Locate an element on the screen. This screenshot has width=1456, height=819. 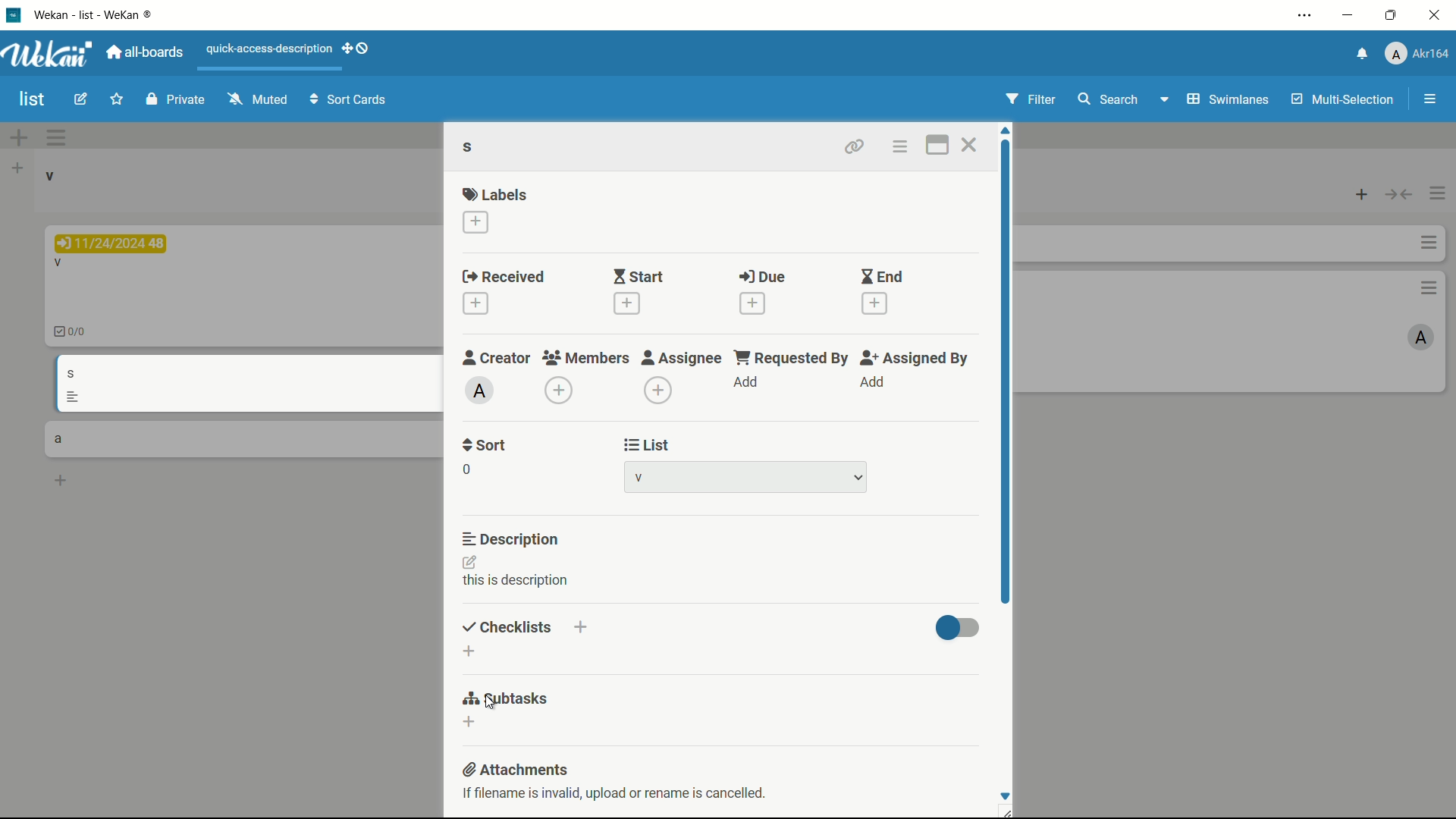
board name is located at coordinates (33, 100).